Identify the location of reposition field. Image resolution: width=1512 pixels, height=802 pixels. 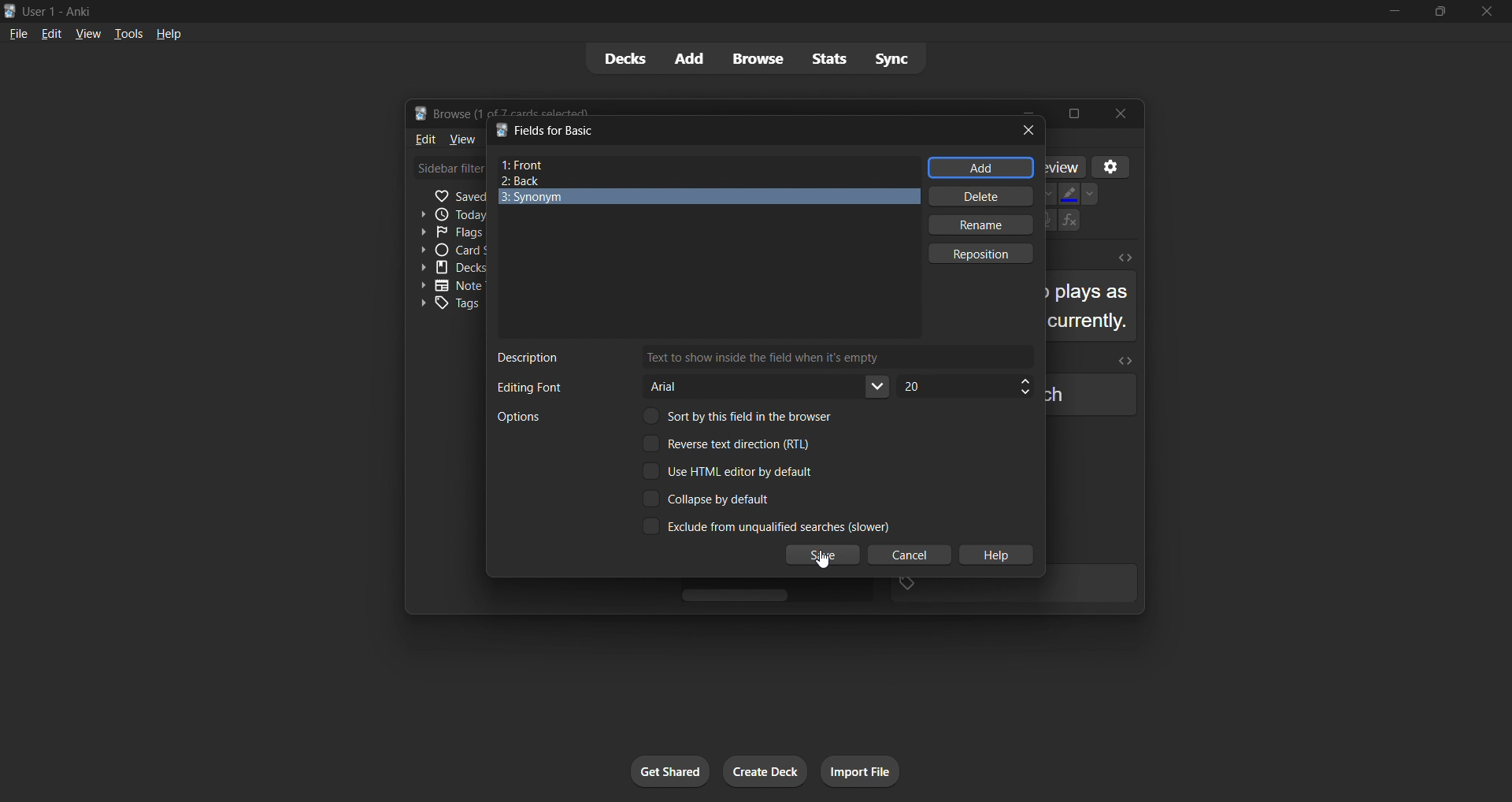
(987, 254).